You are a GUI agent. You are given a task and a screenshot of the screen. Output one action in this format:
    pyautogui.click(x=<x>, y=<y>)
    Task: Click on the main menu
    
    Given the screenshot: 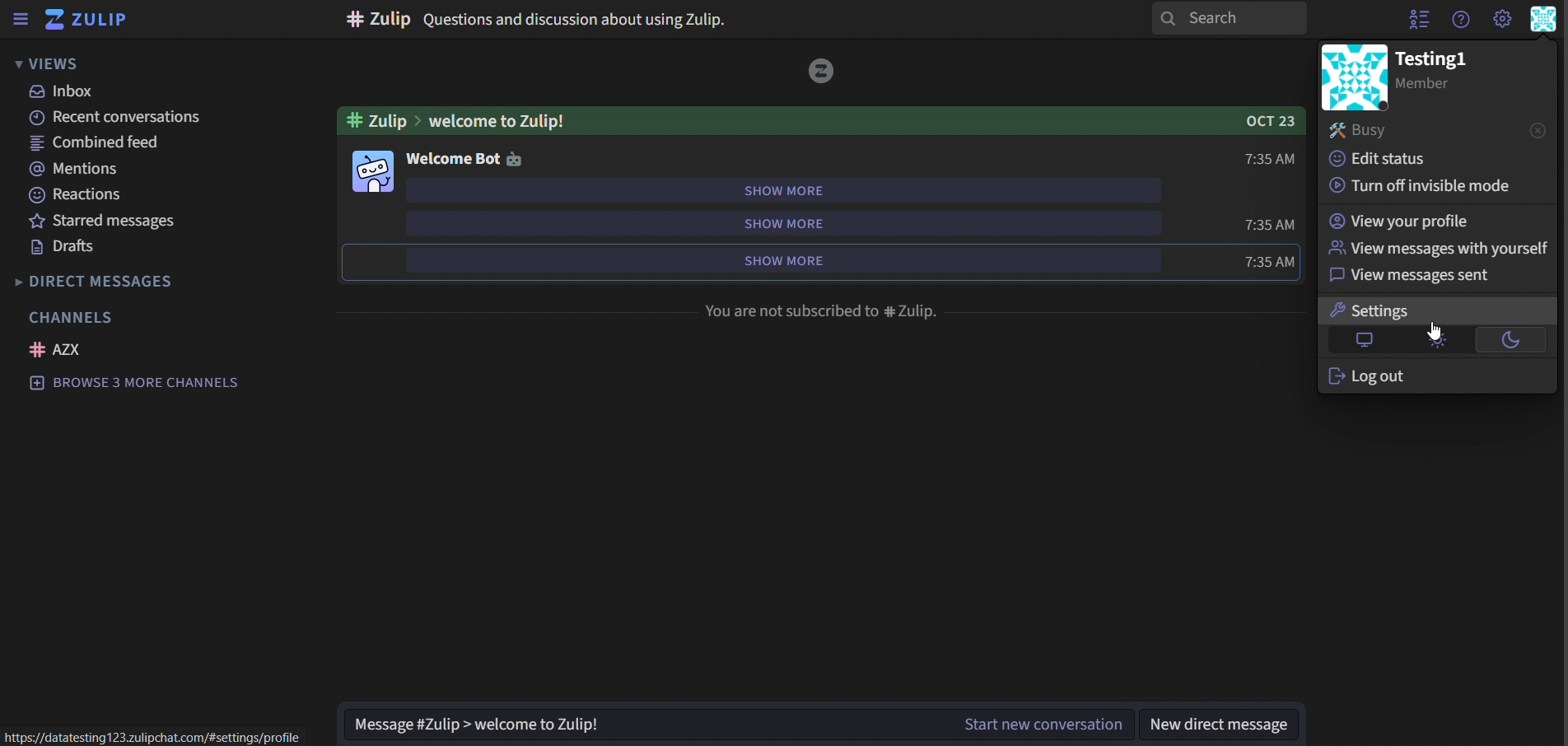 What is the action you would take?
    pyautogui.click(x=1501, y=19)
    